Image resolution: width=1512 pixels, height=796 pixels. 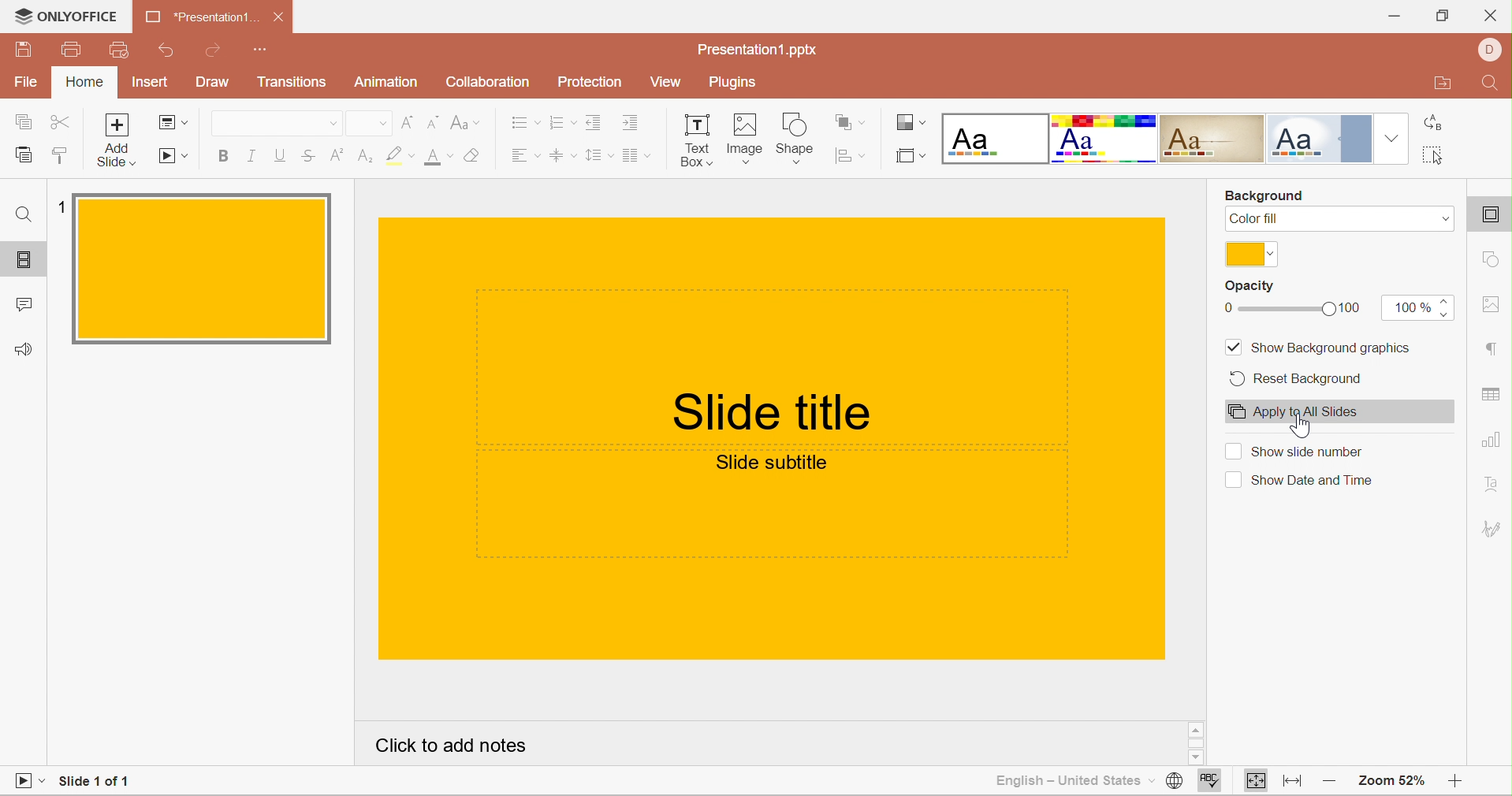 I want to click on Drop Dwon, so click(x=1441, y=218).